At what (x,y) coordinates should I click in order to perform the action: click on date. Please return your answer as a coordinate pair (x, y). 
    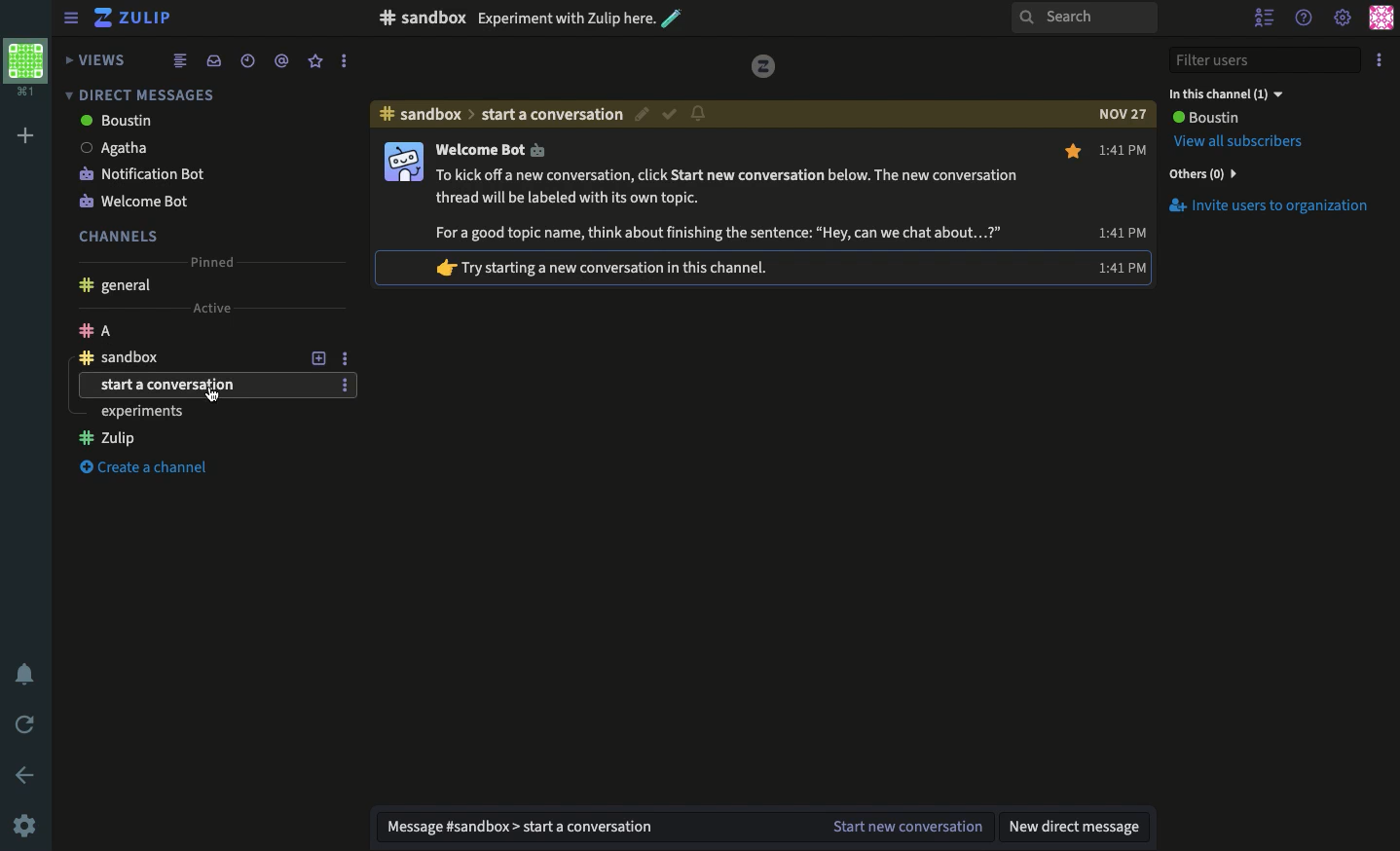
    Looking at the image, I should click on (1122, 114).